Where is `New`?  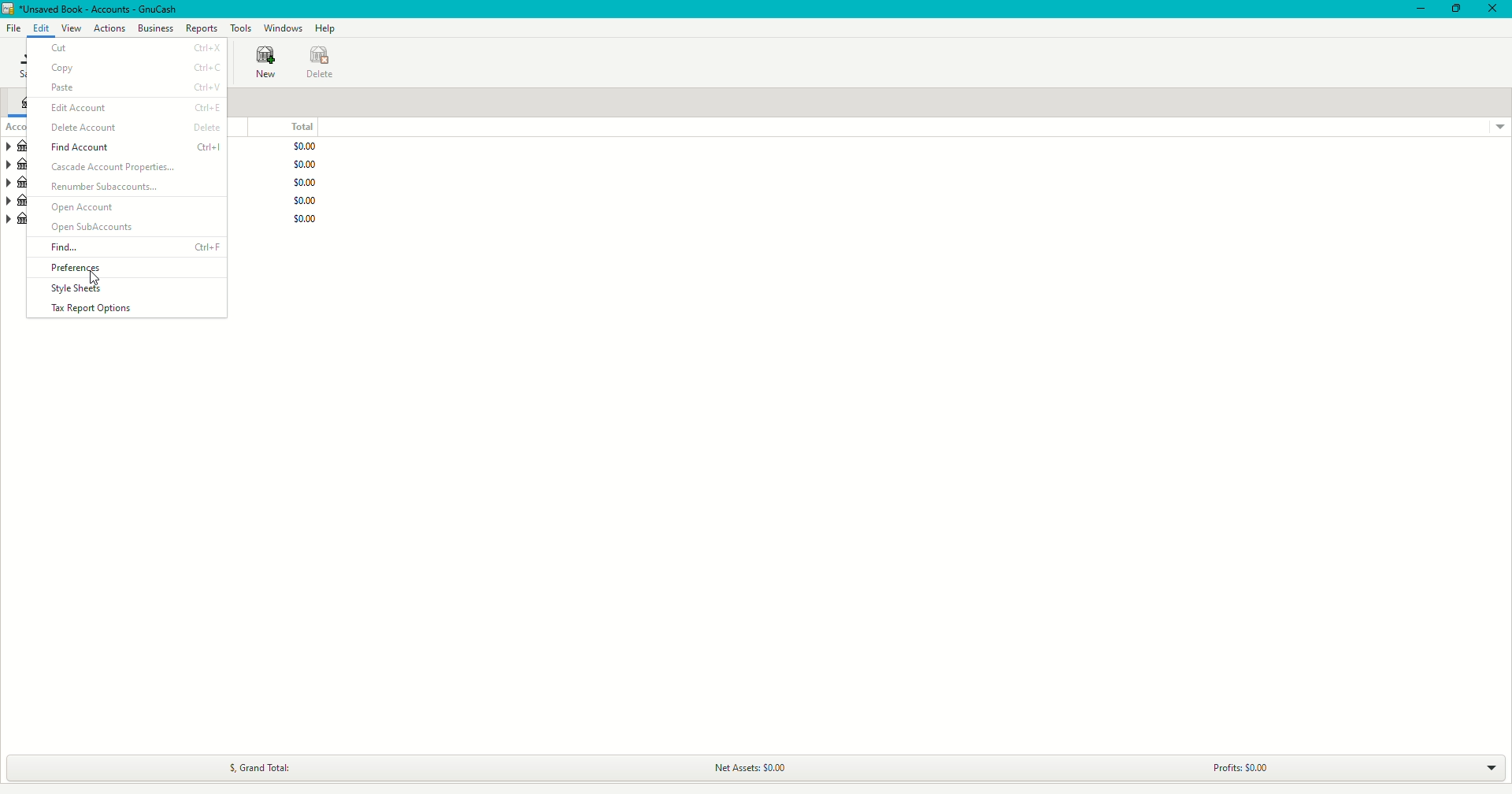
New is located at coordinates (263, 64).